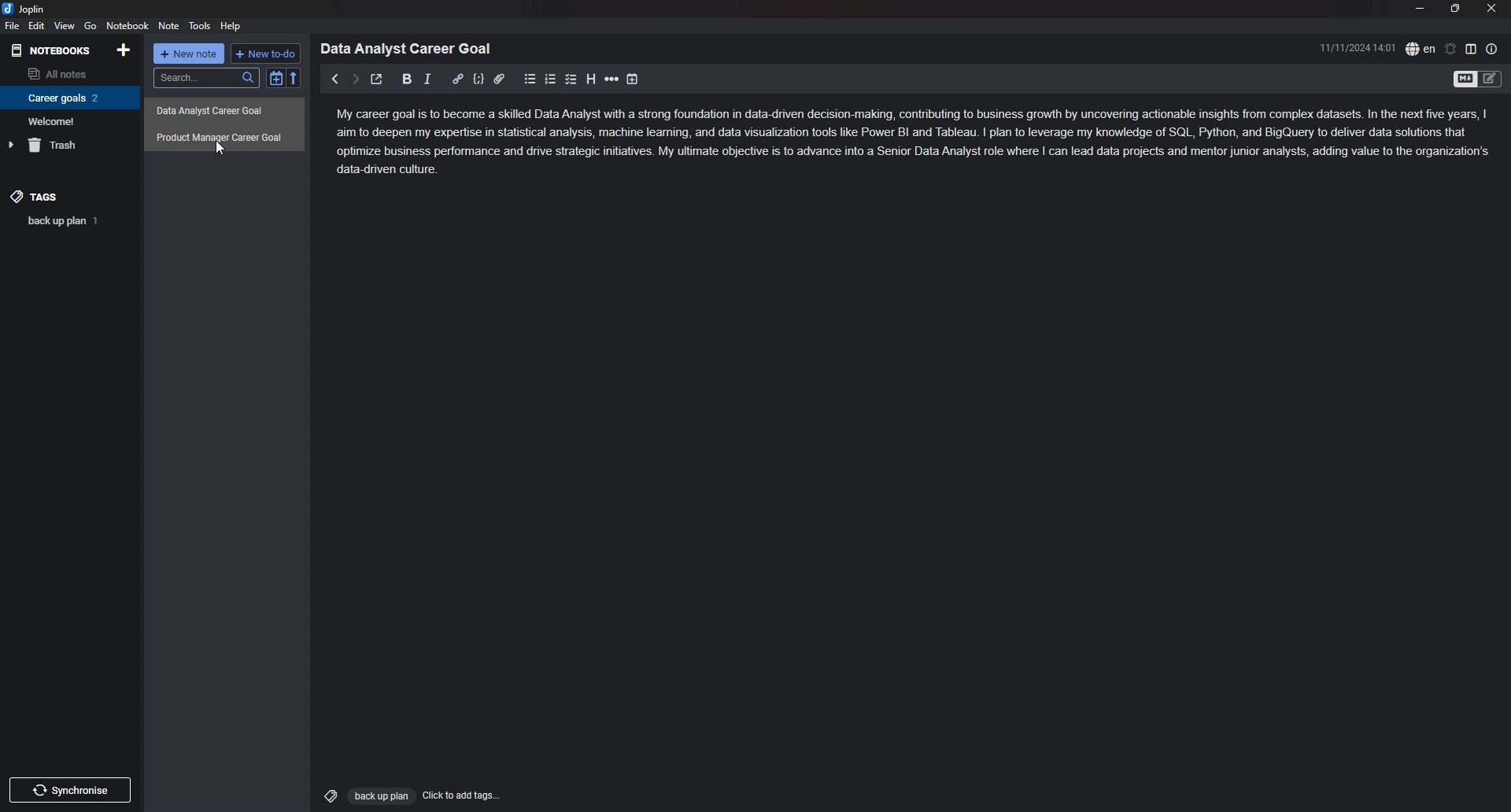 Image resolution: width=1511 pixels, height=812 pixels. Describe the element at coordinates (68, 145) in the screenshot. I see `trash` at that location.